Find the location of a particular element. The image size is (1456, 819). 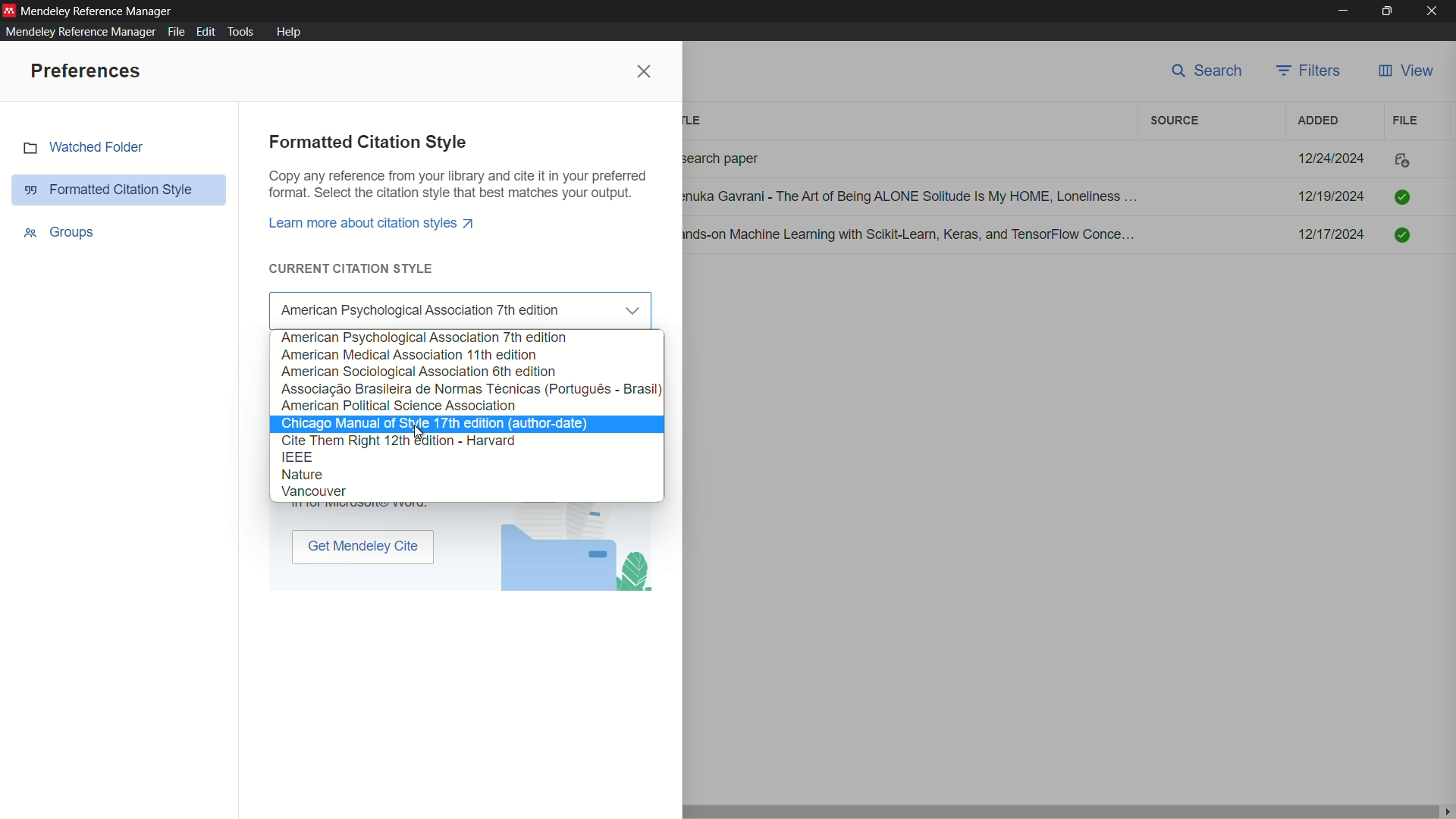

help menu is located at coordinates (288, 32).